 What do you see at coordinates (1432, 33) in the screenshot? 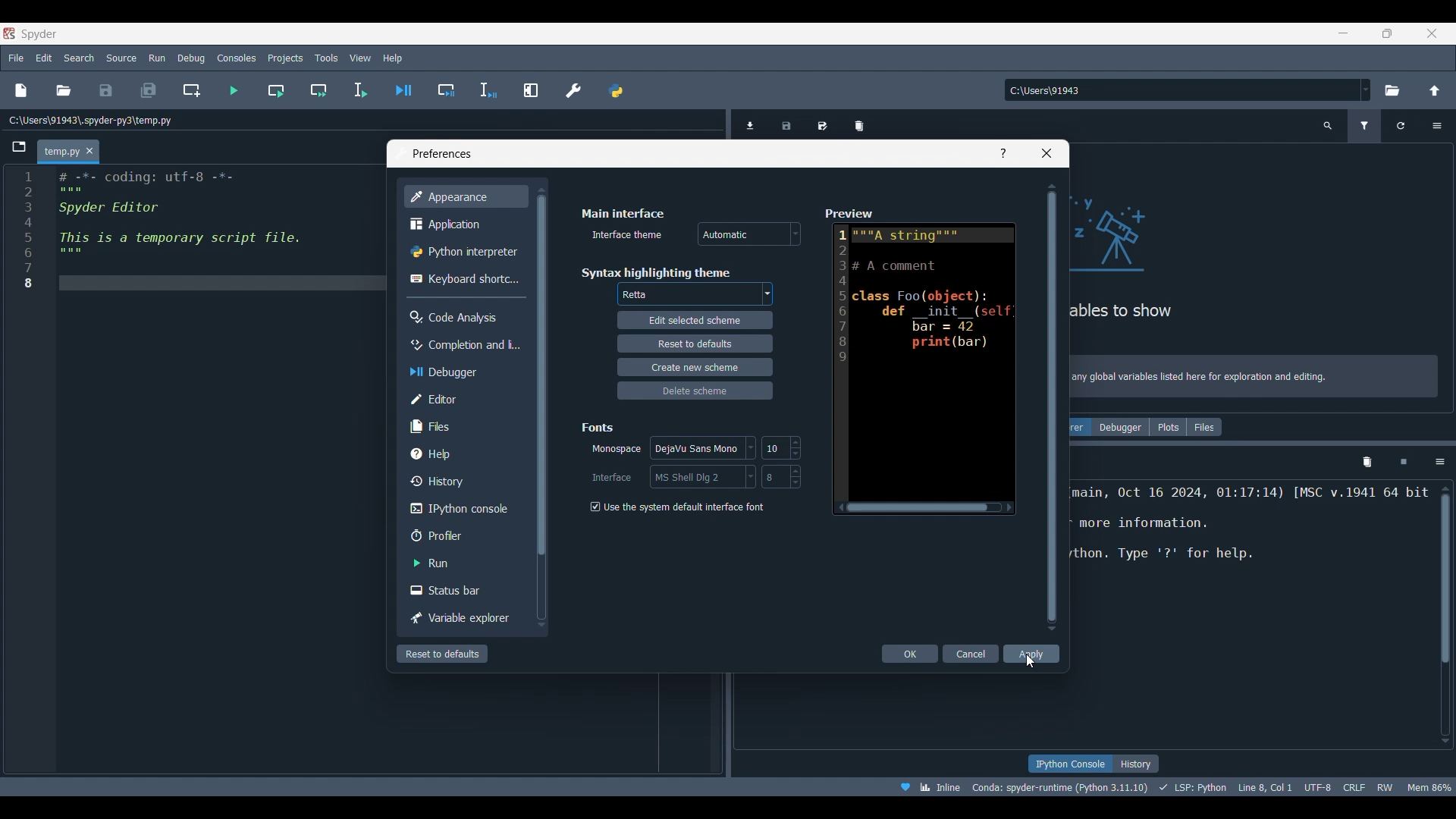
I see `Close interface` at bounding box center [1432, 33].